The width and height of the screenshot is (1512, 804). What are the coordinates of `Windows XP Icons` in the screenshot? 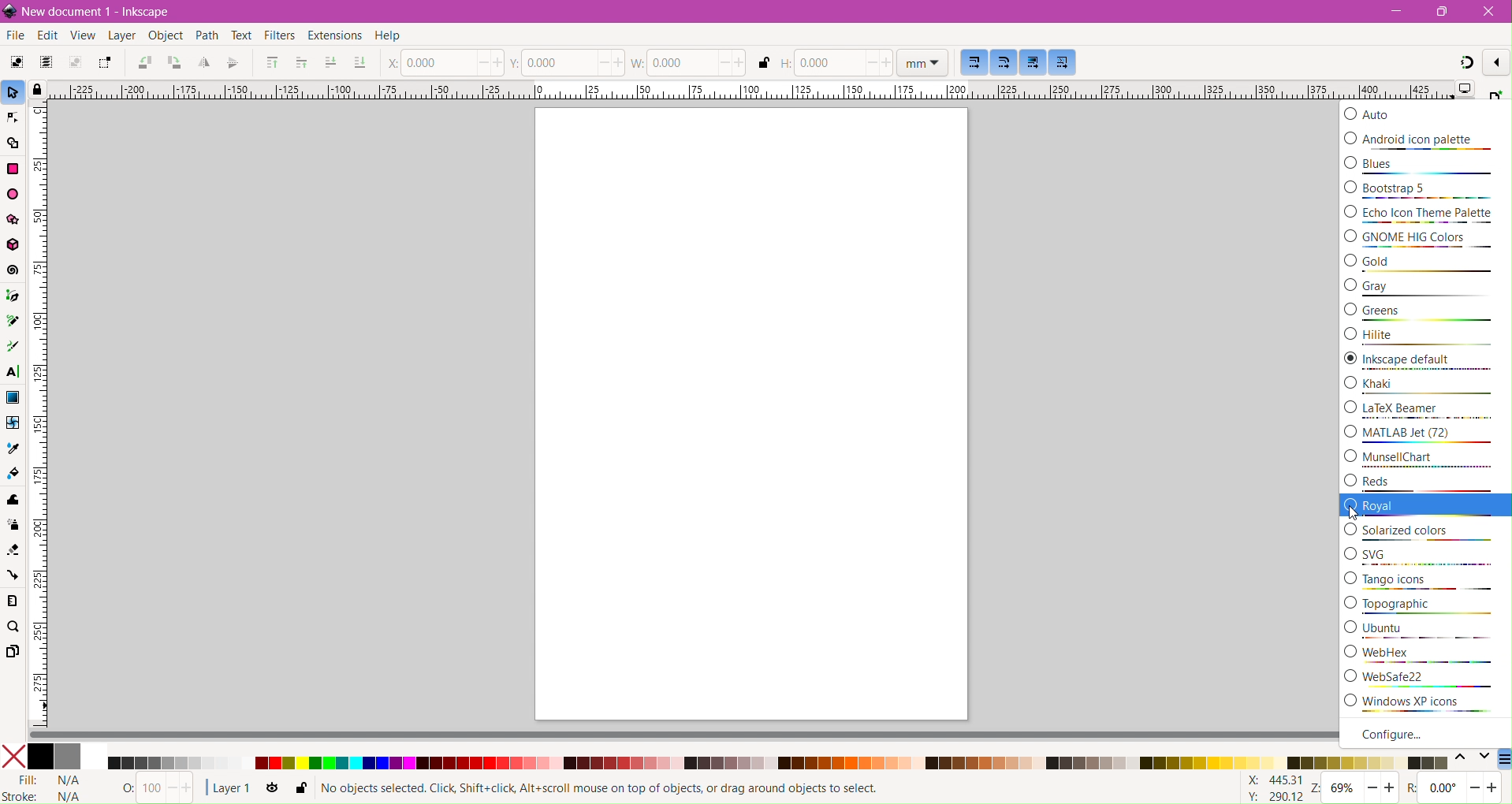 It's located at (1425, 704).